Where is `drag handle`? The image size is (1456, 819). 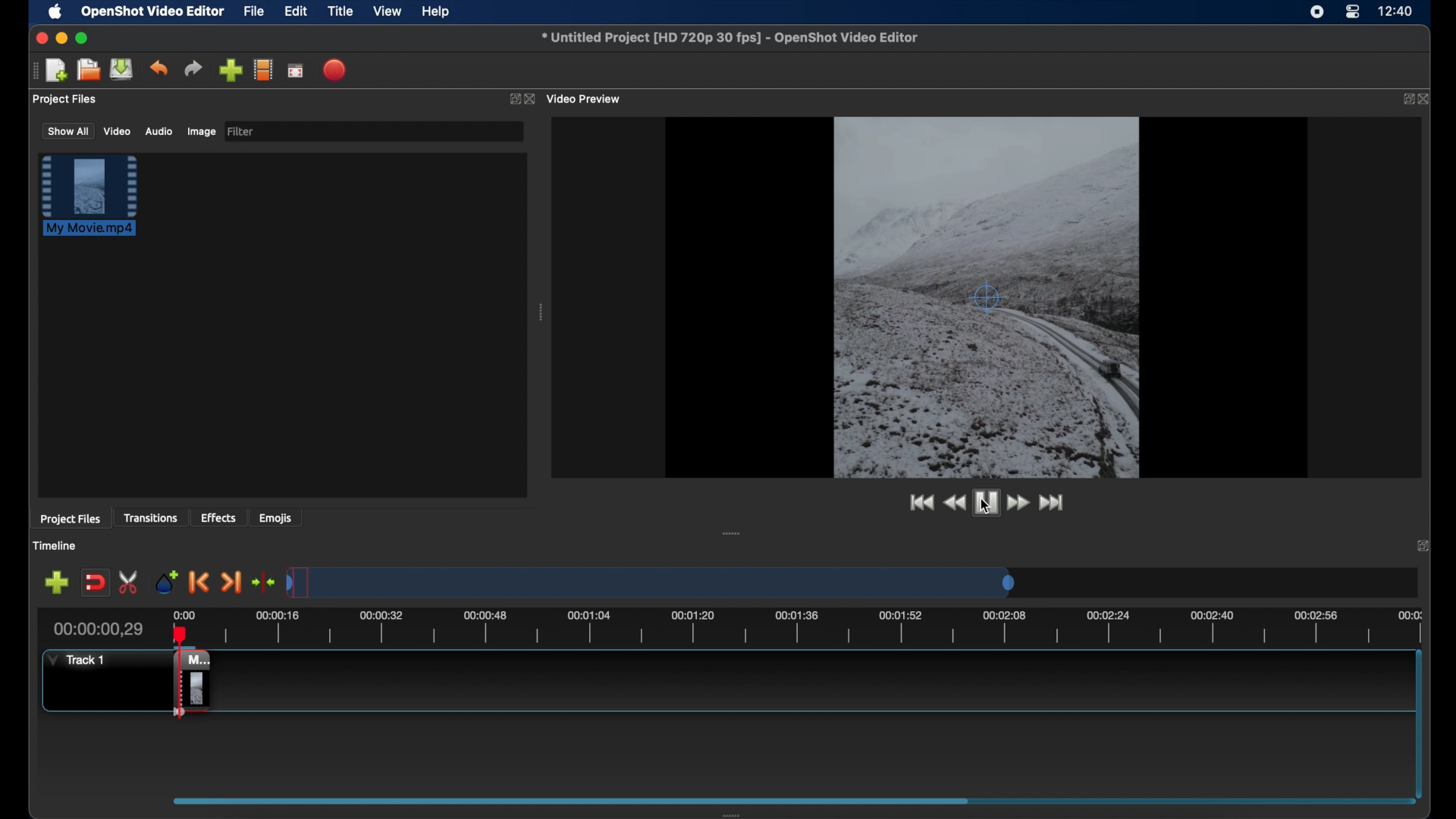
drag handle is located at coordinates (33, 71).